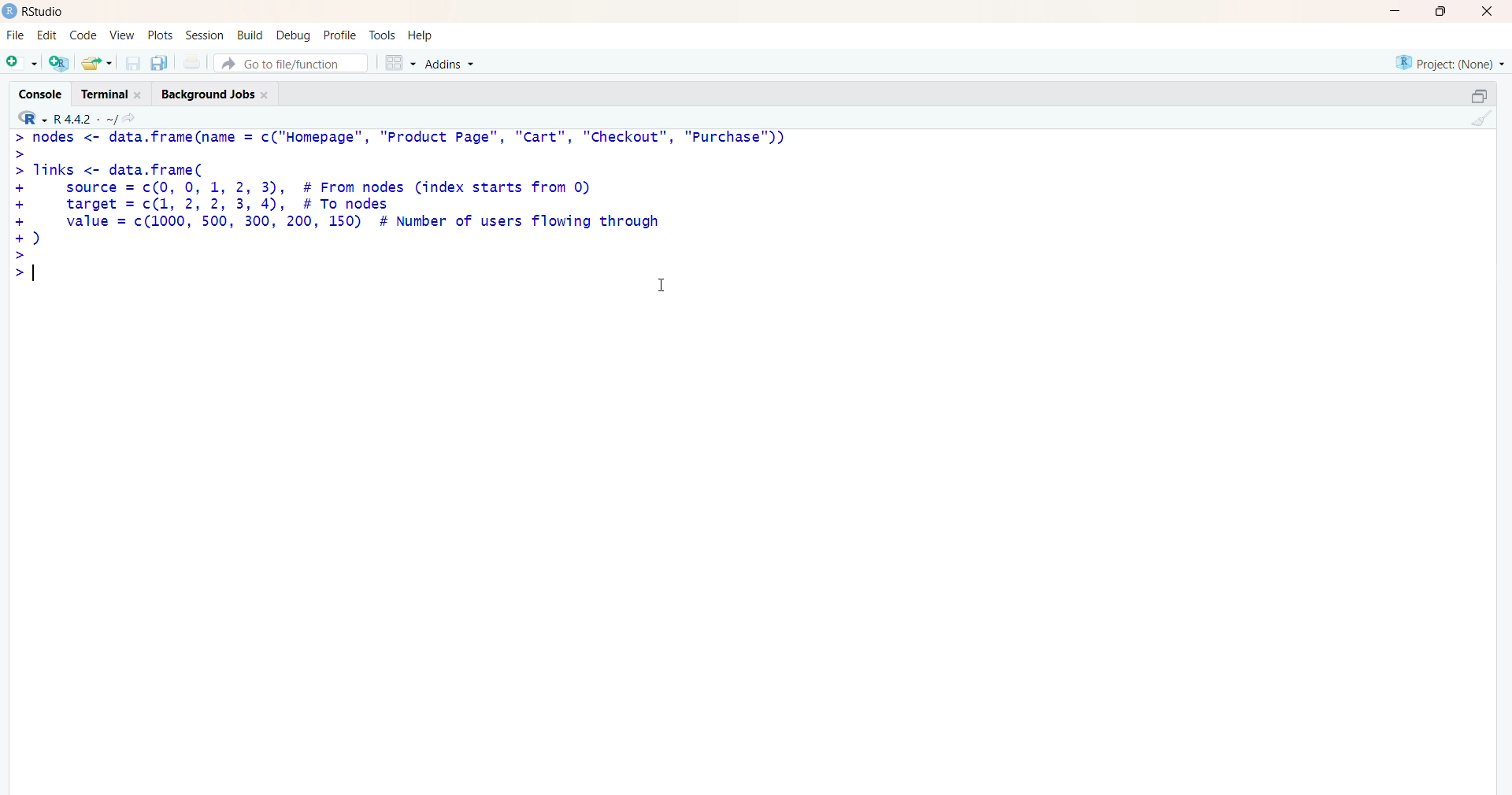 This screenshot has height=795, width=1512. What do you see at coordinates (60, 65) in the screenshot?
I see `add file` at bounding box center [60, 65].